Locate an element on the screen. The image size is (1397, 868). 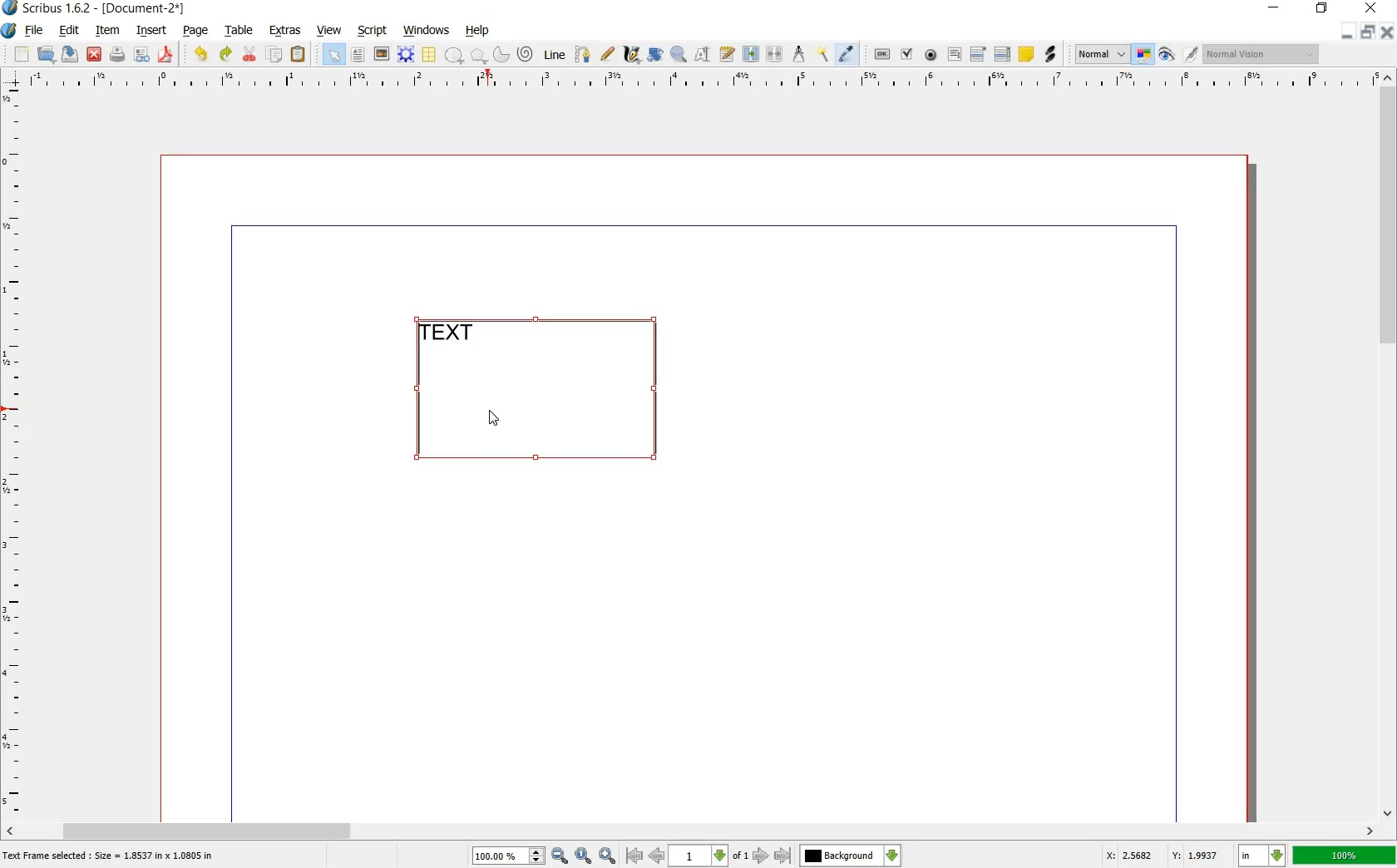
save as pdf is located at coordinates (165, 55).